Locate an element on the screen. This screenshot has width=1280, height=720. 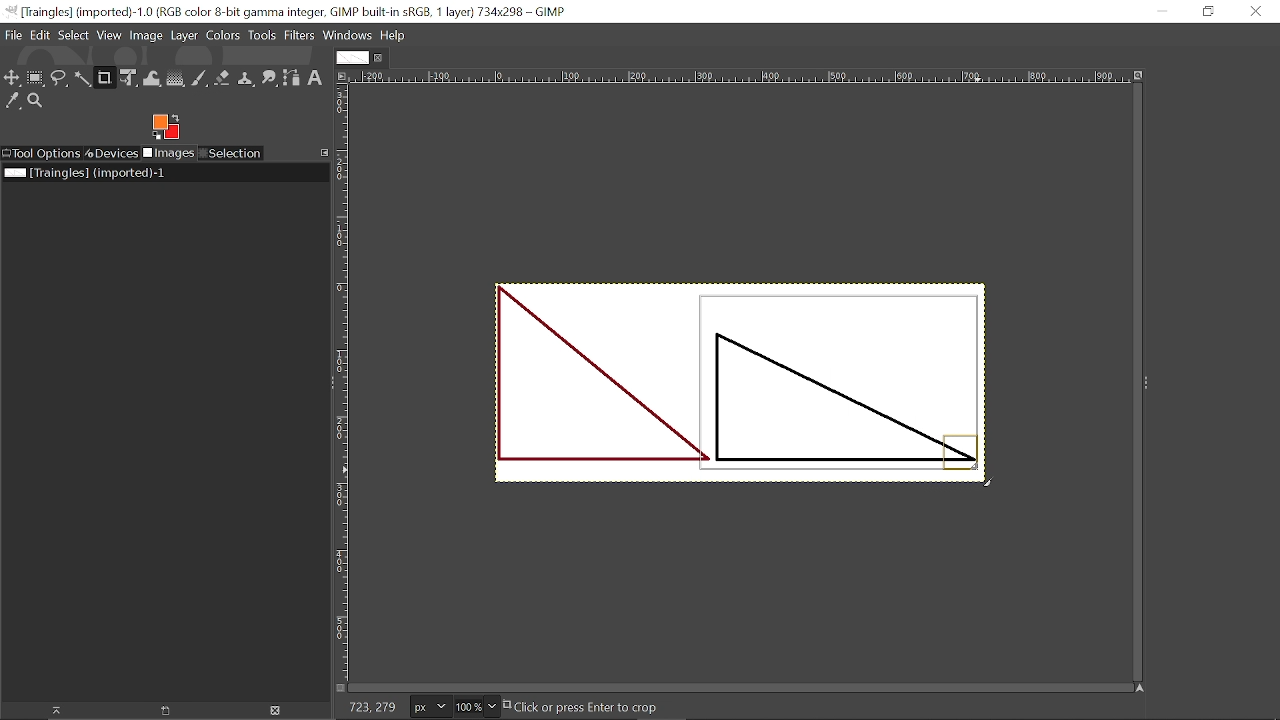
Current zoom is located at coordinates (467, 706).